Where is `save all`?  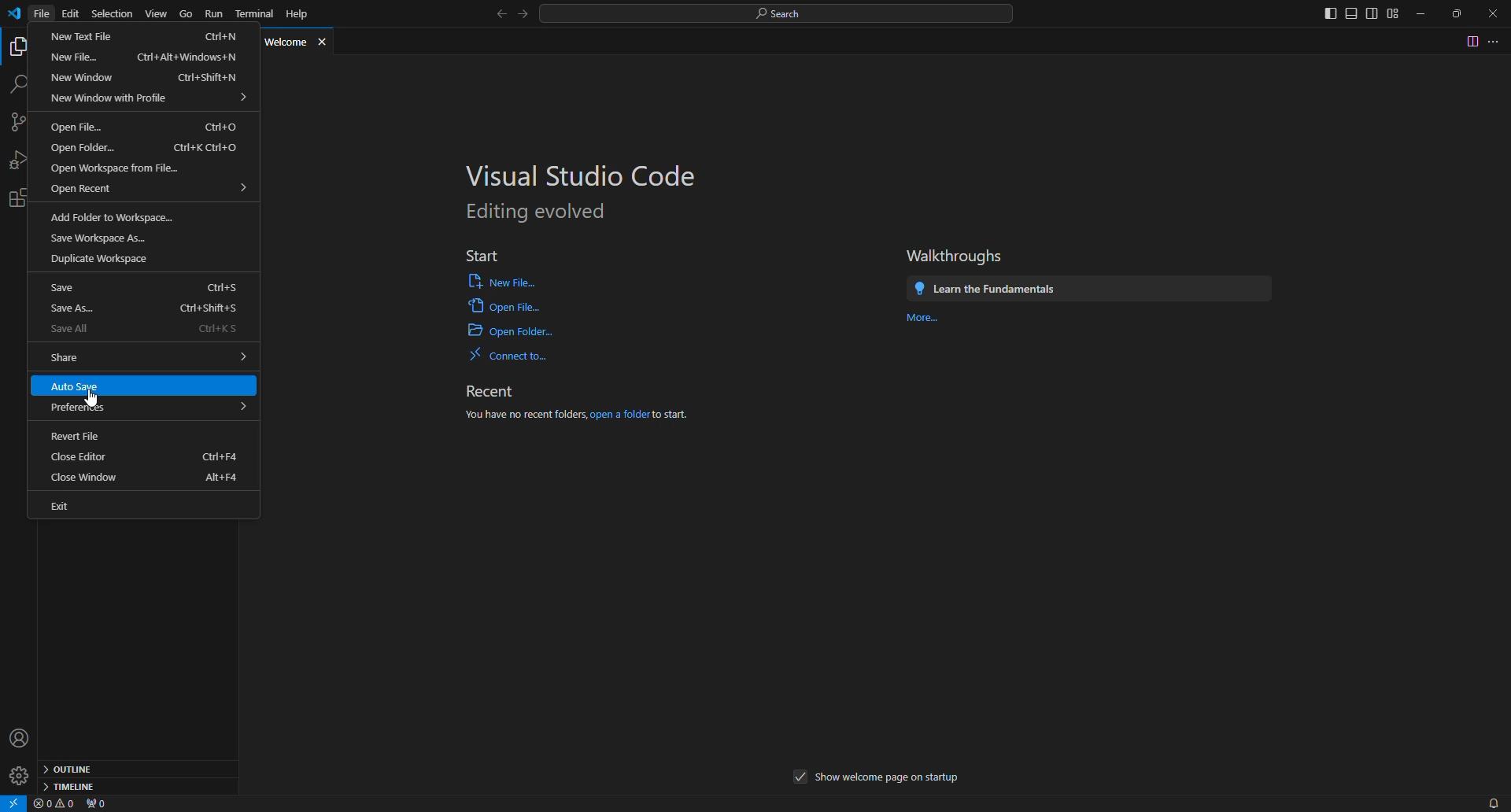
save all is located at coordinates (70, 329).